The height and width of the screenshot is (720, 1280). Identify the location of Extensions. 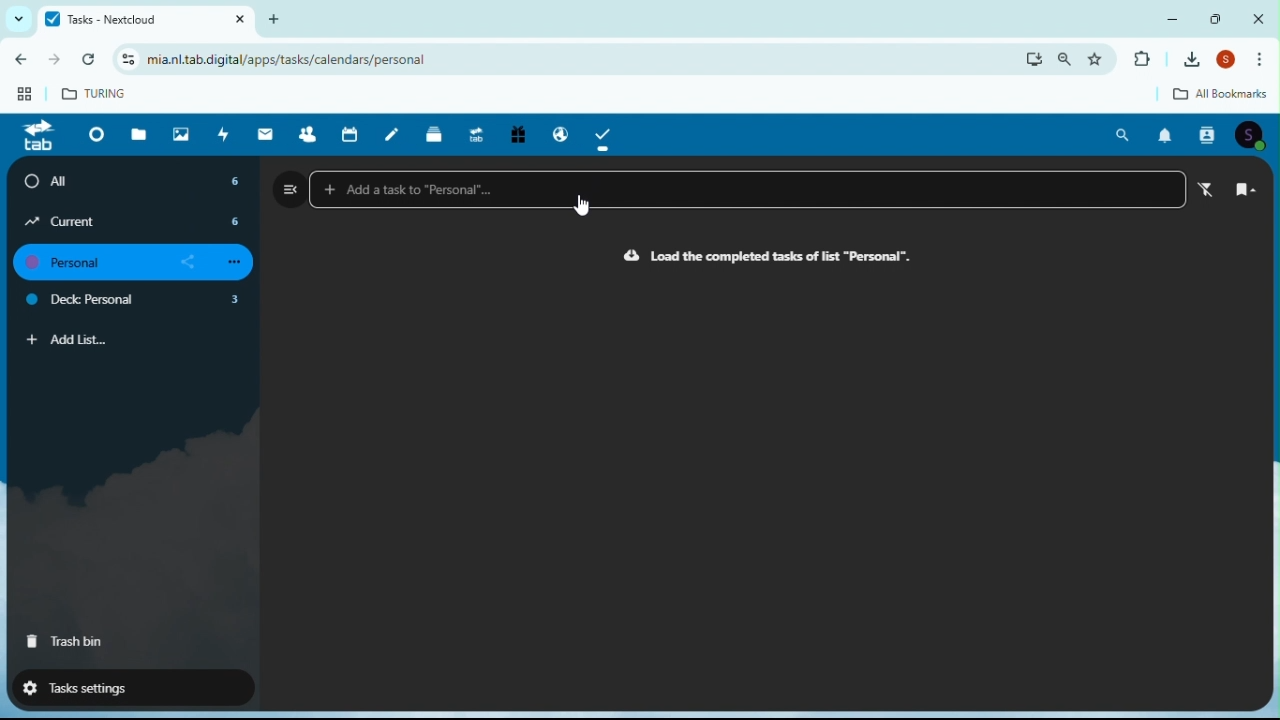
(1141, 60).